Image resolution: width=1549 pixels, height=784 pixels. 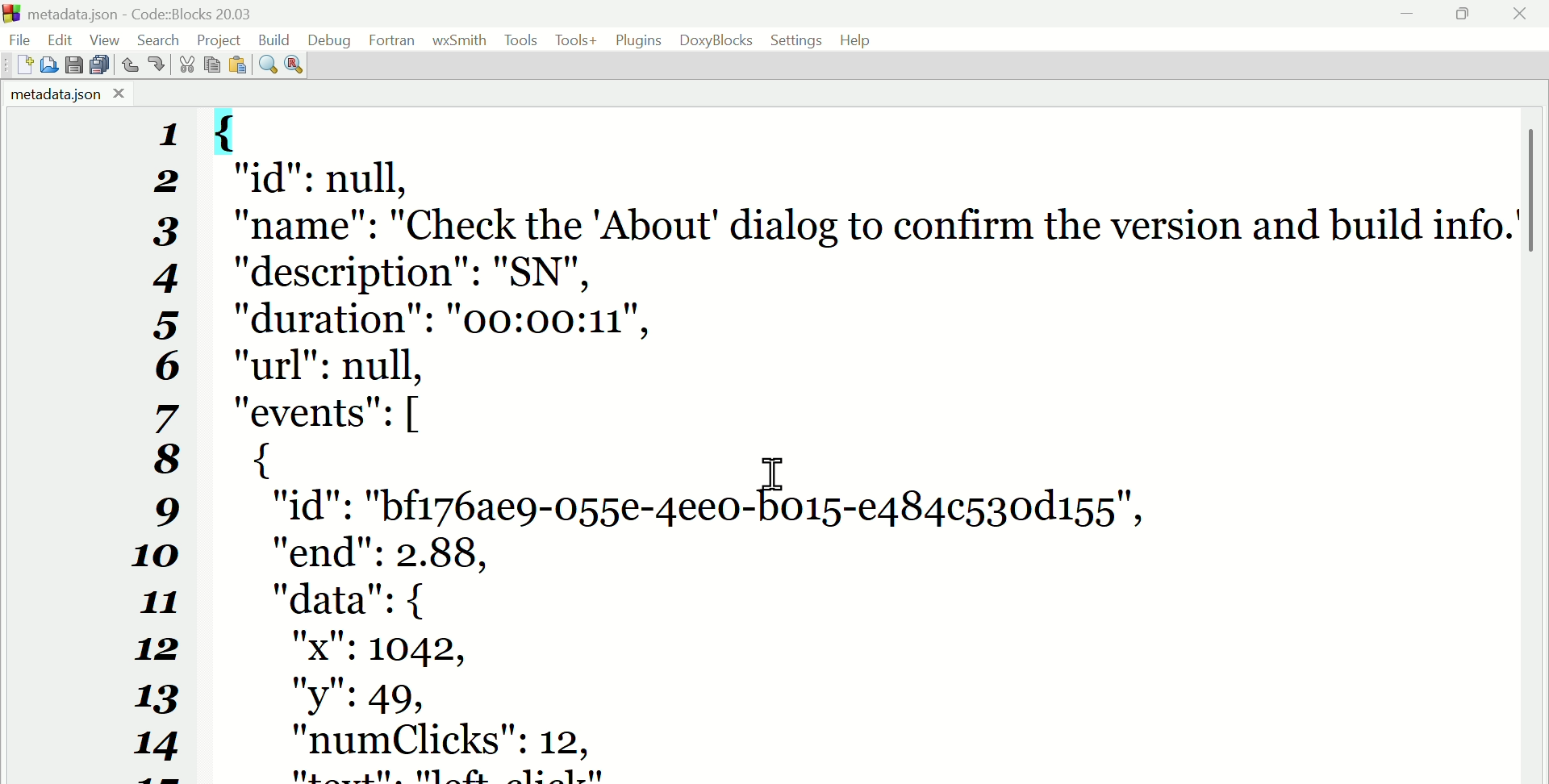 What do you see at coordinates (237, 65) in the screenshot?
I see `Paste` at bounding box center [237, 65].